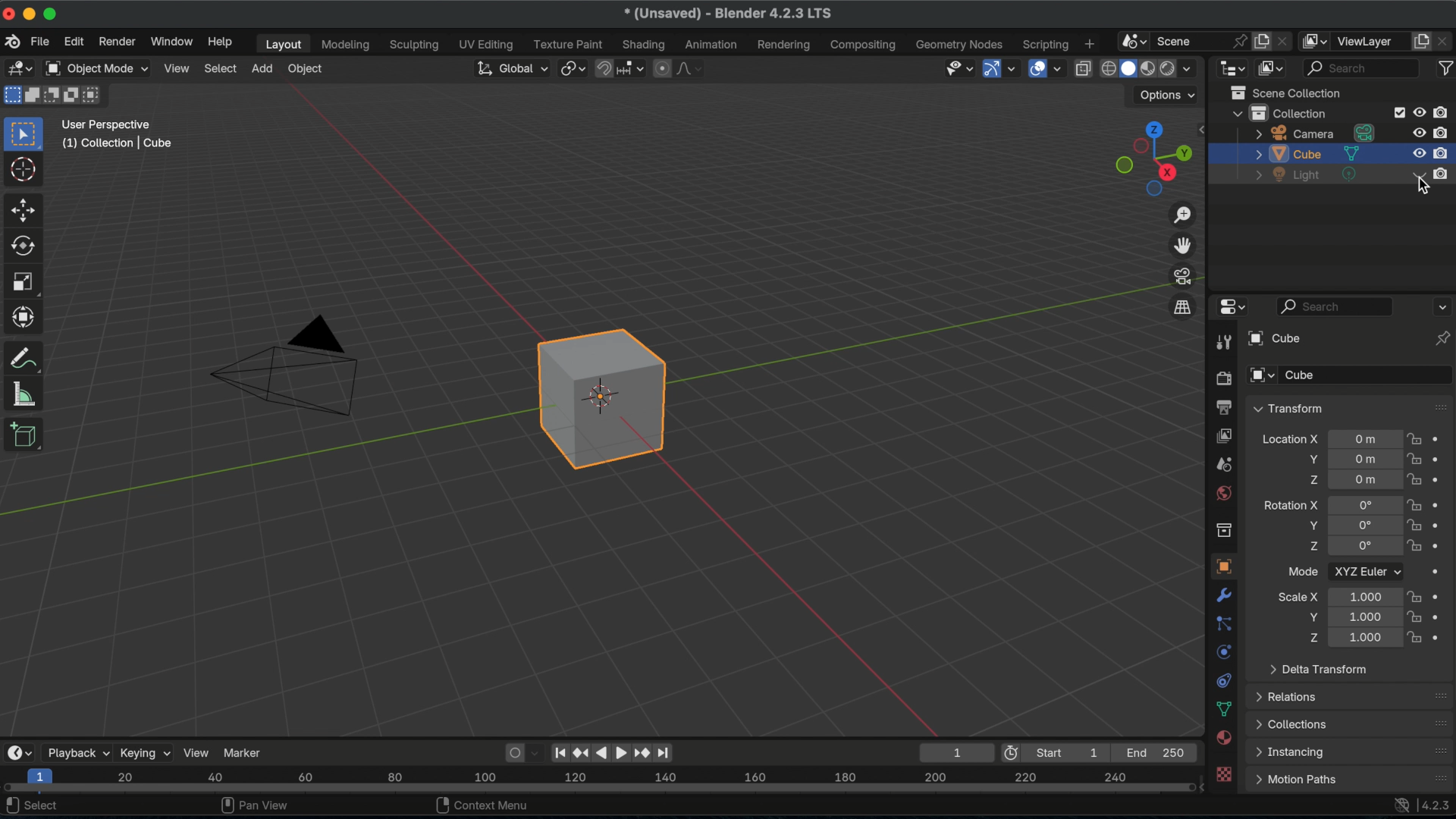 Image resolution: width=1456 pixels, height=819 pixels. What do you see at coordinates (14, 41) in the screenshot?
I see `blender logo` at bounding box center [14, 41].